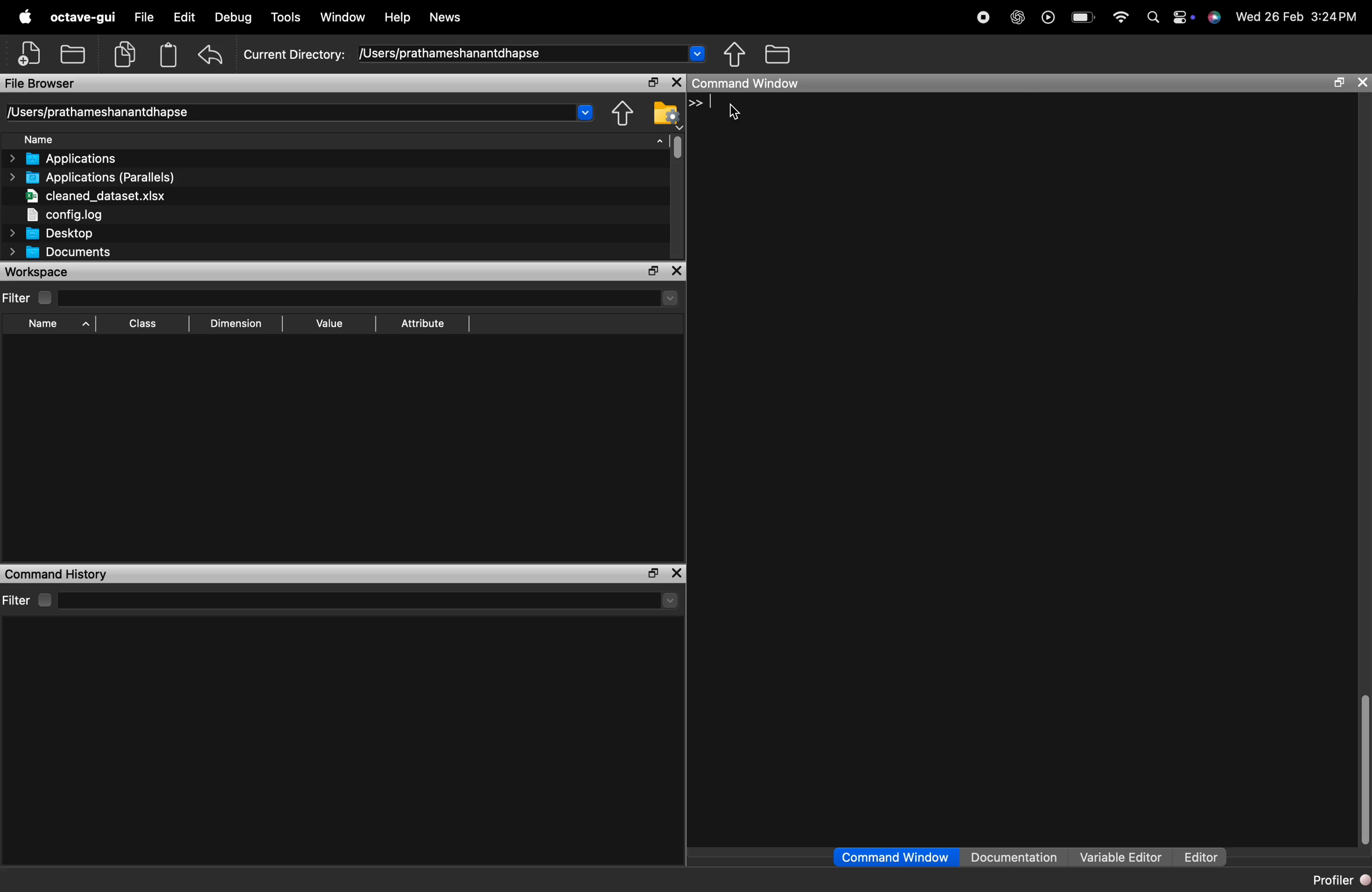 The width and height of the screenshot is (1372, 892). Describe the element at coordinates (651, 83) in the screenshot. I see `Maximize` at that location.